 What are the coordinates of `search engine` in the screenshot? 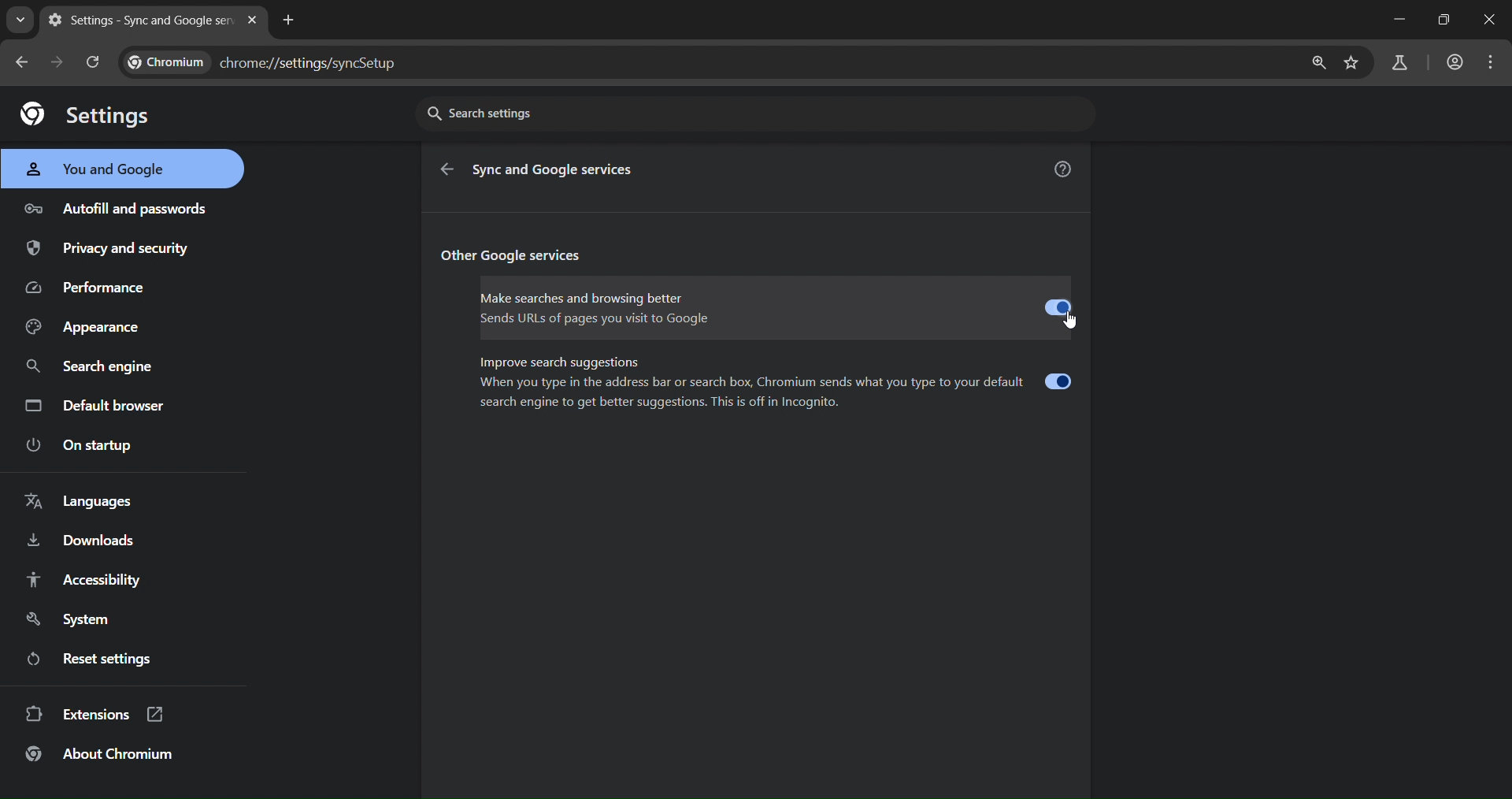 It's located at (88, 369).